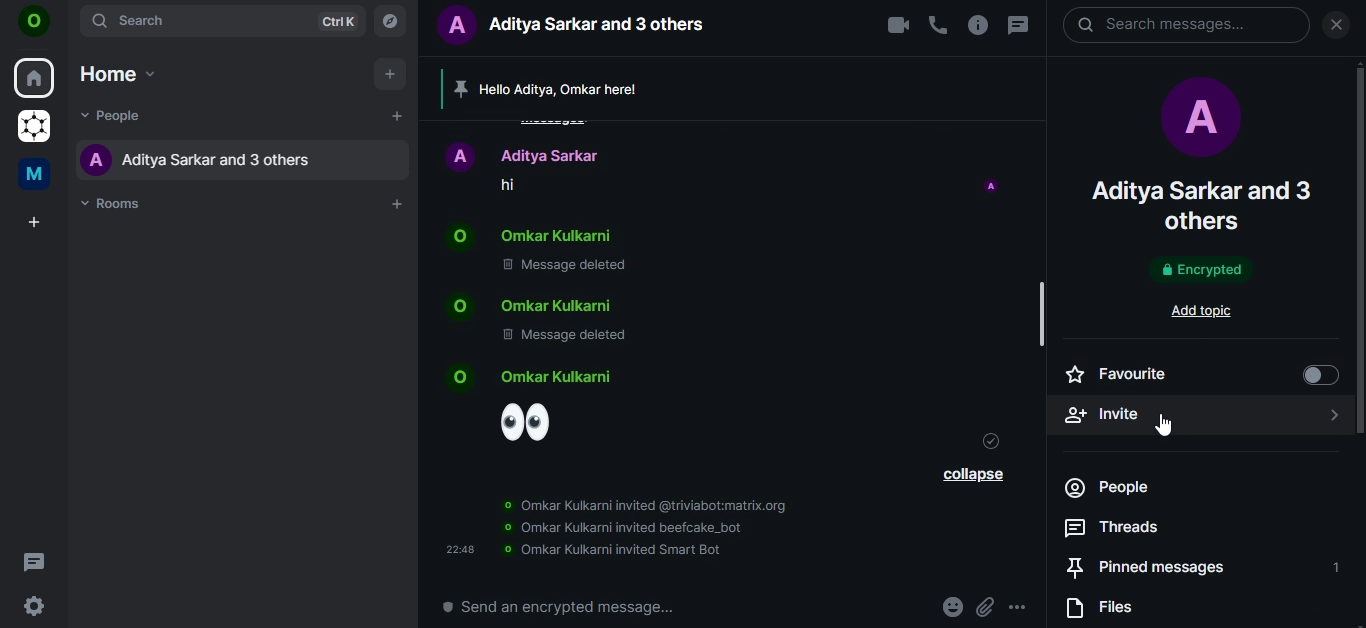 The height and width of the screenshot is (628, 1366). Describe the element at coordinates (117, 70) in the screenshot. I see `home` at that location.